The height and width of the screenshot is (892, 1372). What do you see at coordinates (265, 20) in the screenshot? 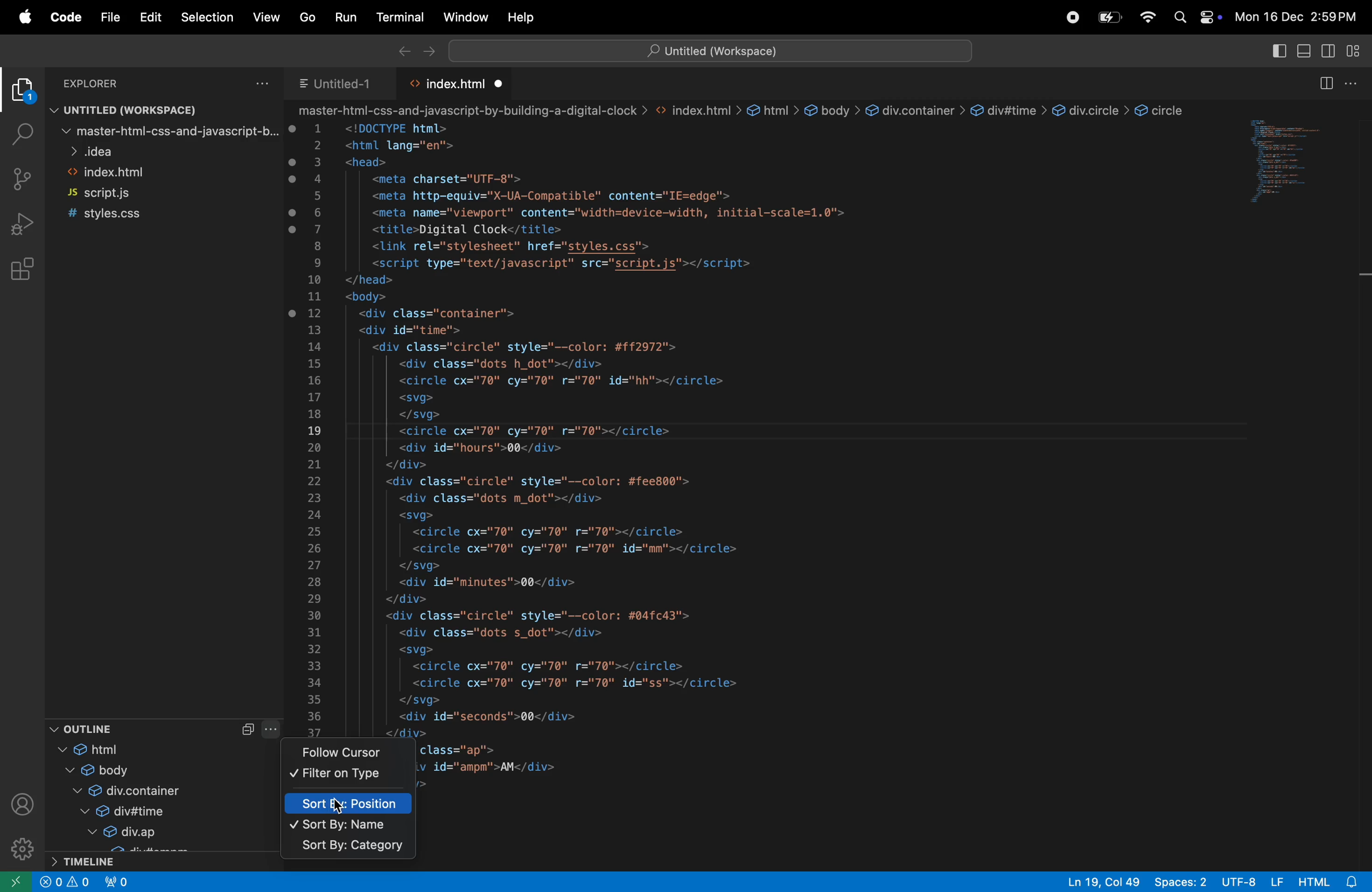
I see `View` at bounding box center [265, 20].